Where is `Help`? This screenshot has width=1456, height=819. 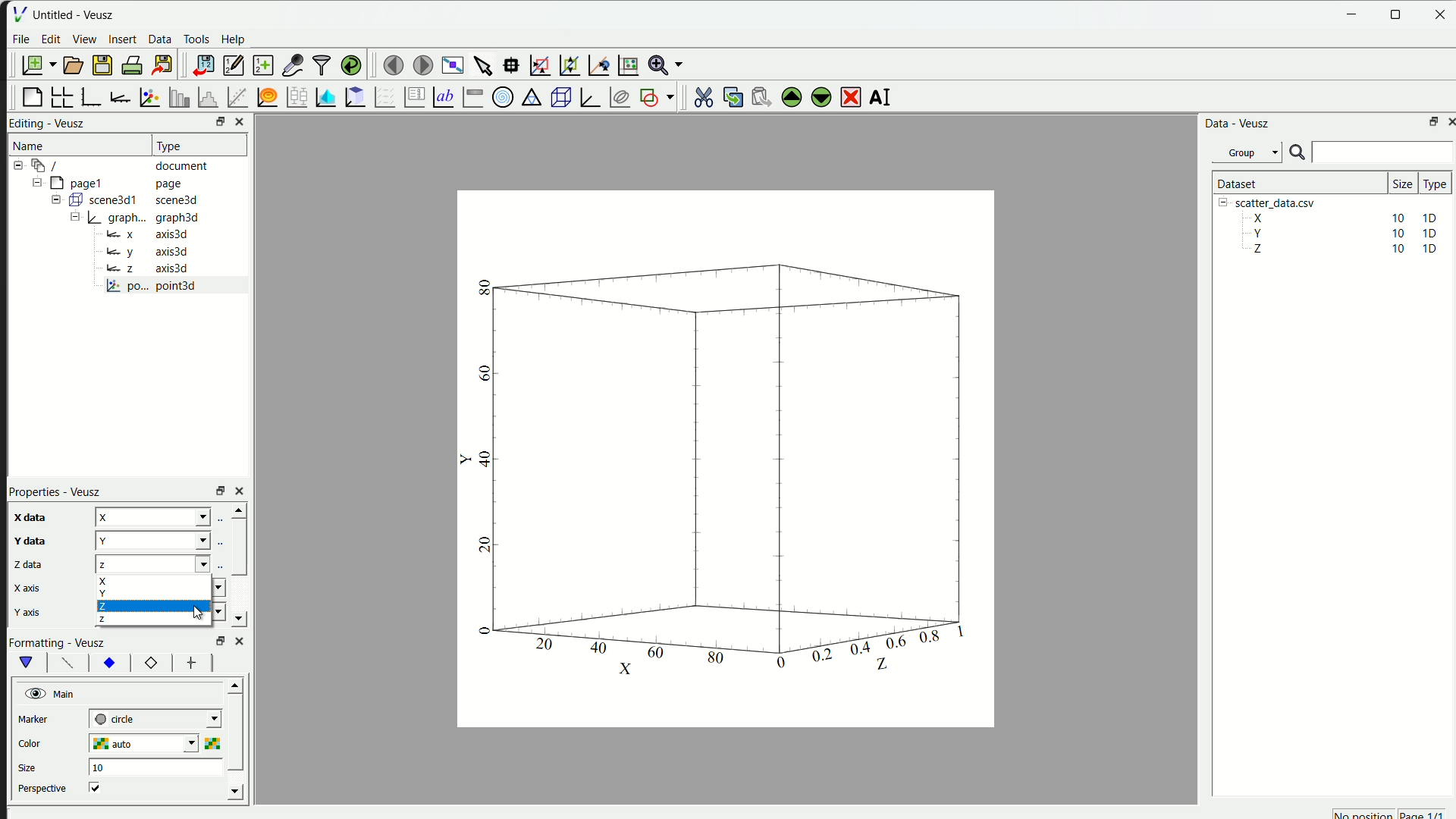
Help is located at coordinates (233, 38).